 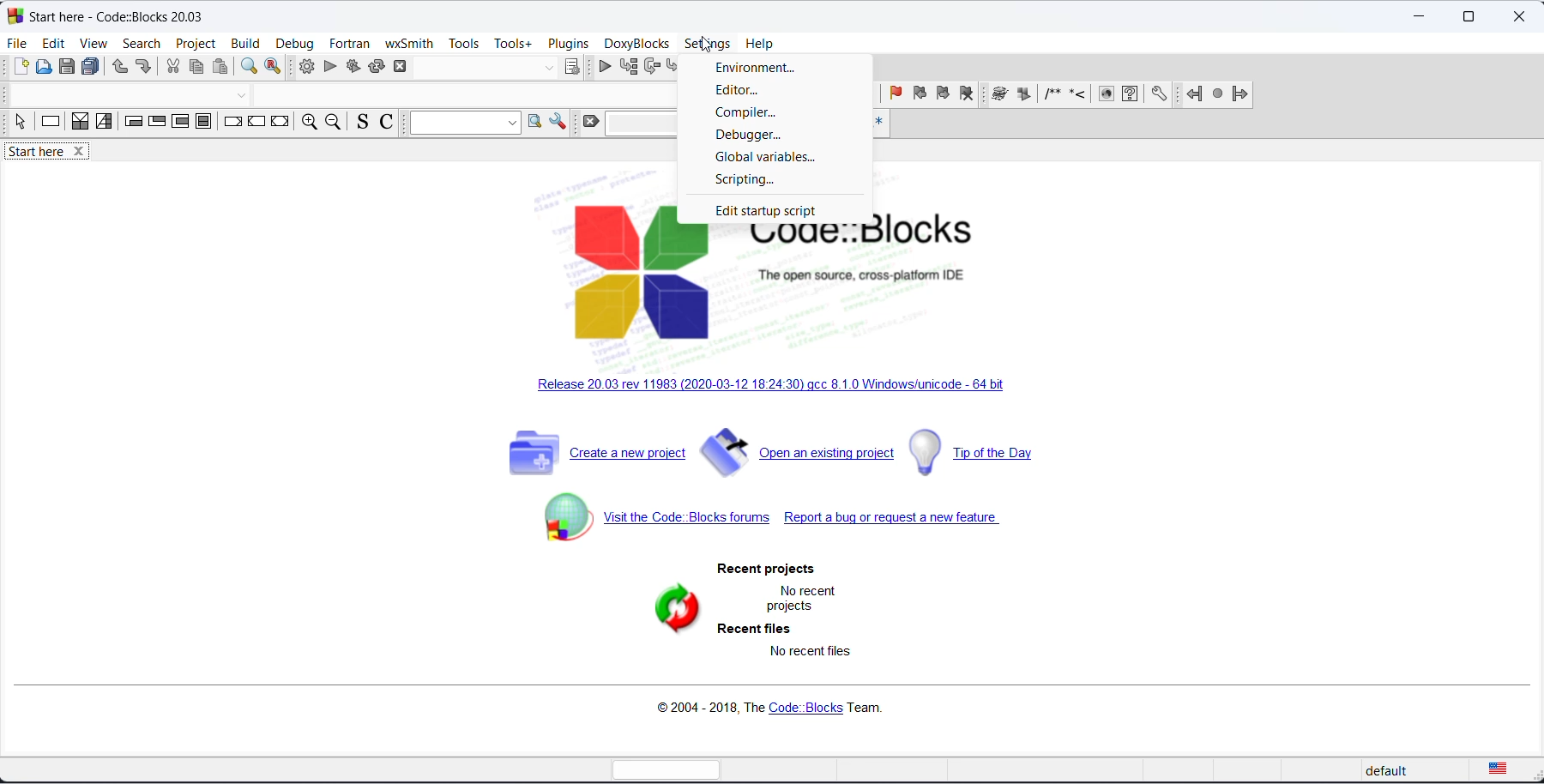 What do you see at coordinates (558, 121) in the screenshot?
I see `settings` at bounding box center [558, 121].